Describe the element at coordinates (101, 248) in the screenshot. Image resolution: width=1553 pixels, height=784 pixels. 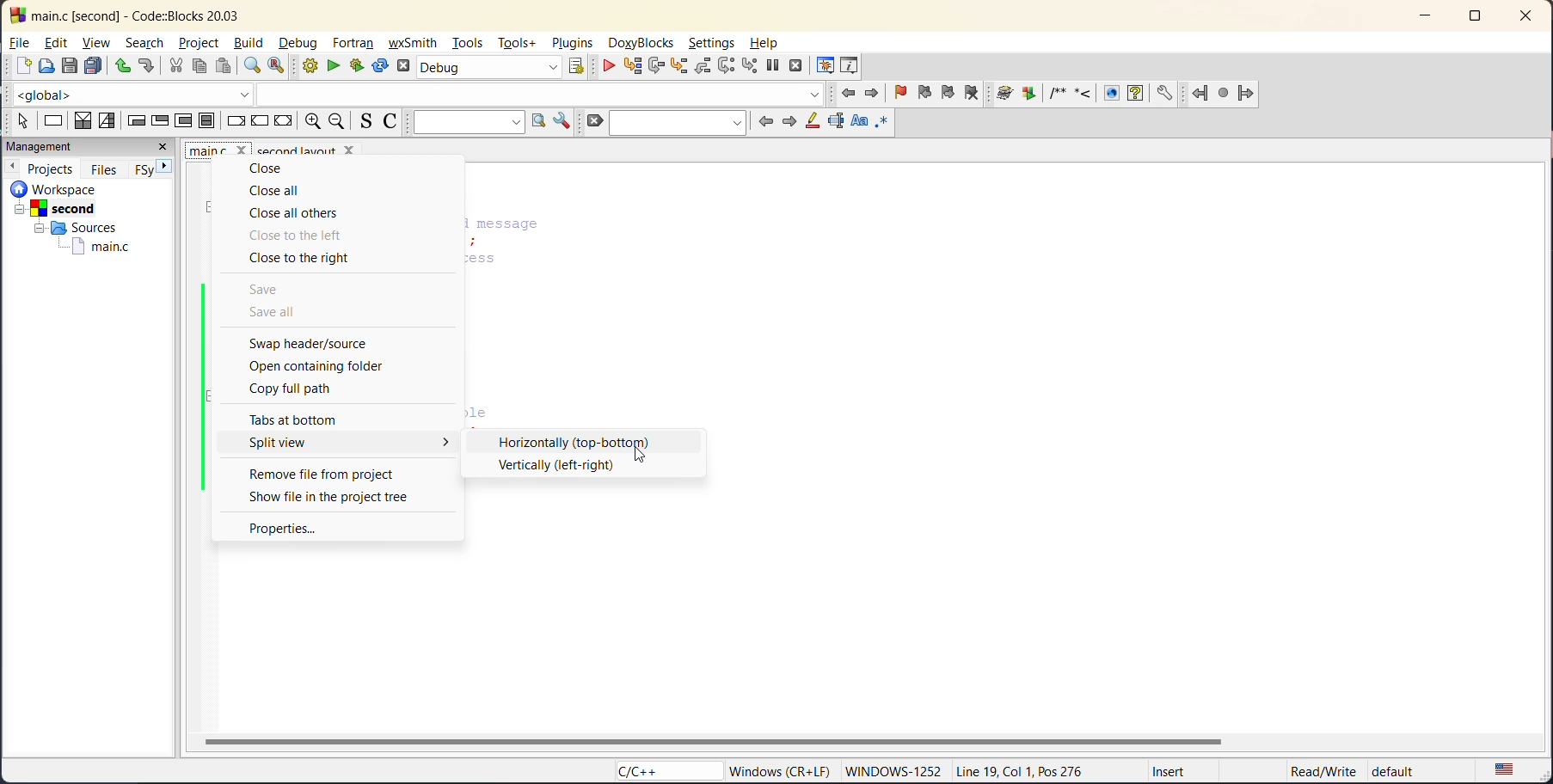
I see `main.c` at that location.